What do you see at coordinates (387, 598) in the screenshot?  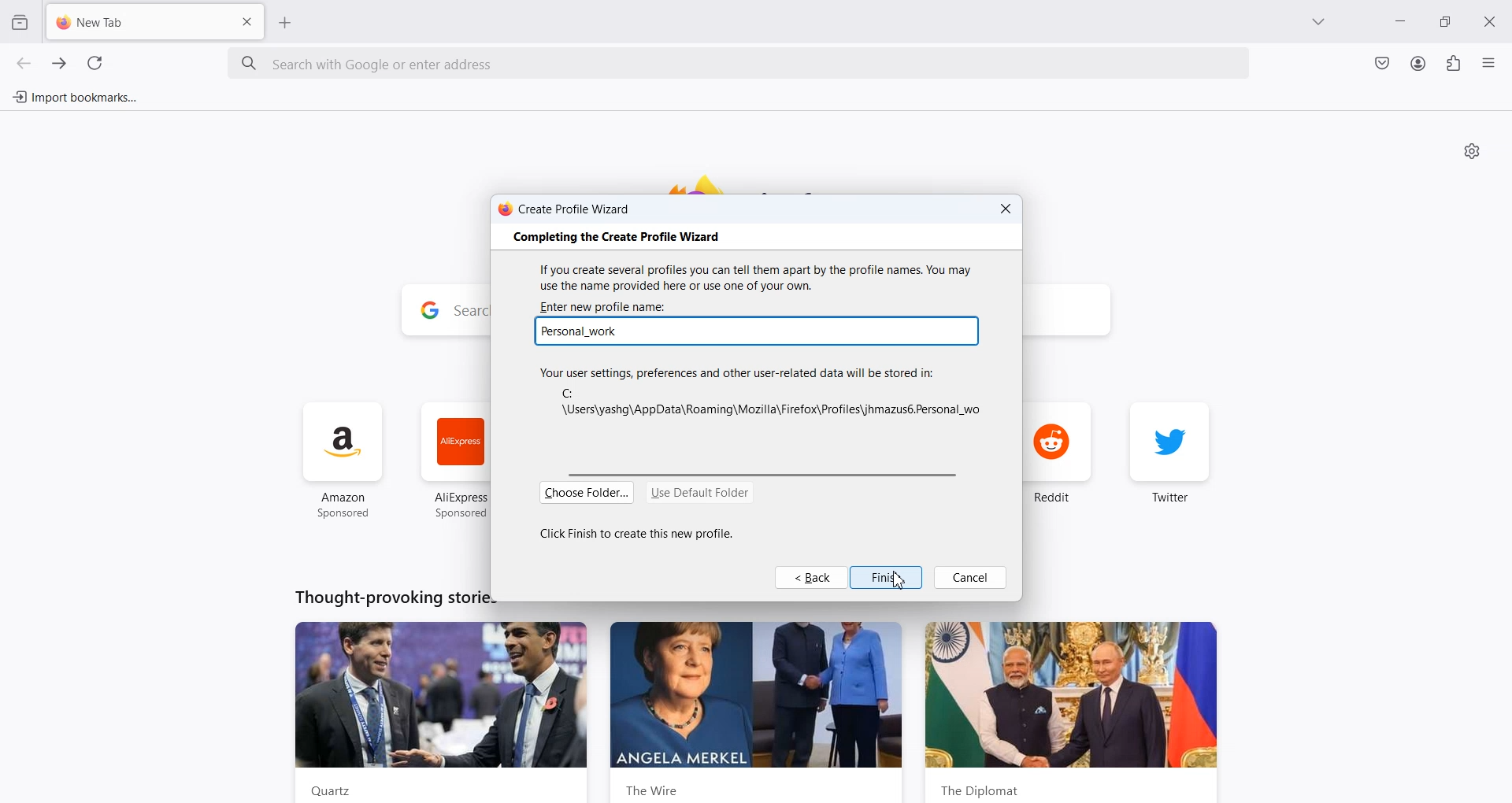 I see `Thought-provoking stories` at bounding box center [387, 598].